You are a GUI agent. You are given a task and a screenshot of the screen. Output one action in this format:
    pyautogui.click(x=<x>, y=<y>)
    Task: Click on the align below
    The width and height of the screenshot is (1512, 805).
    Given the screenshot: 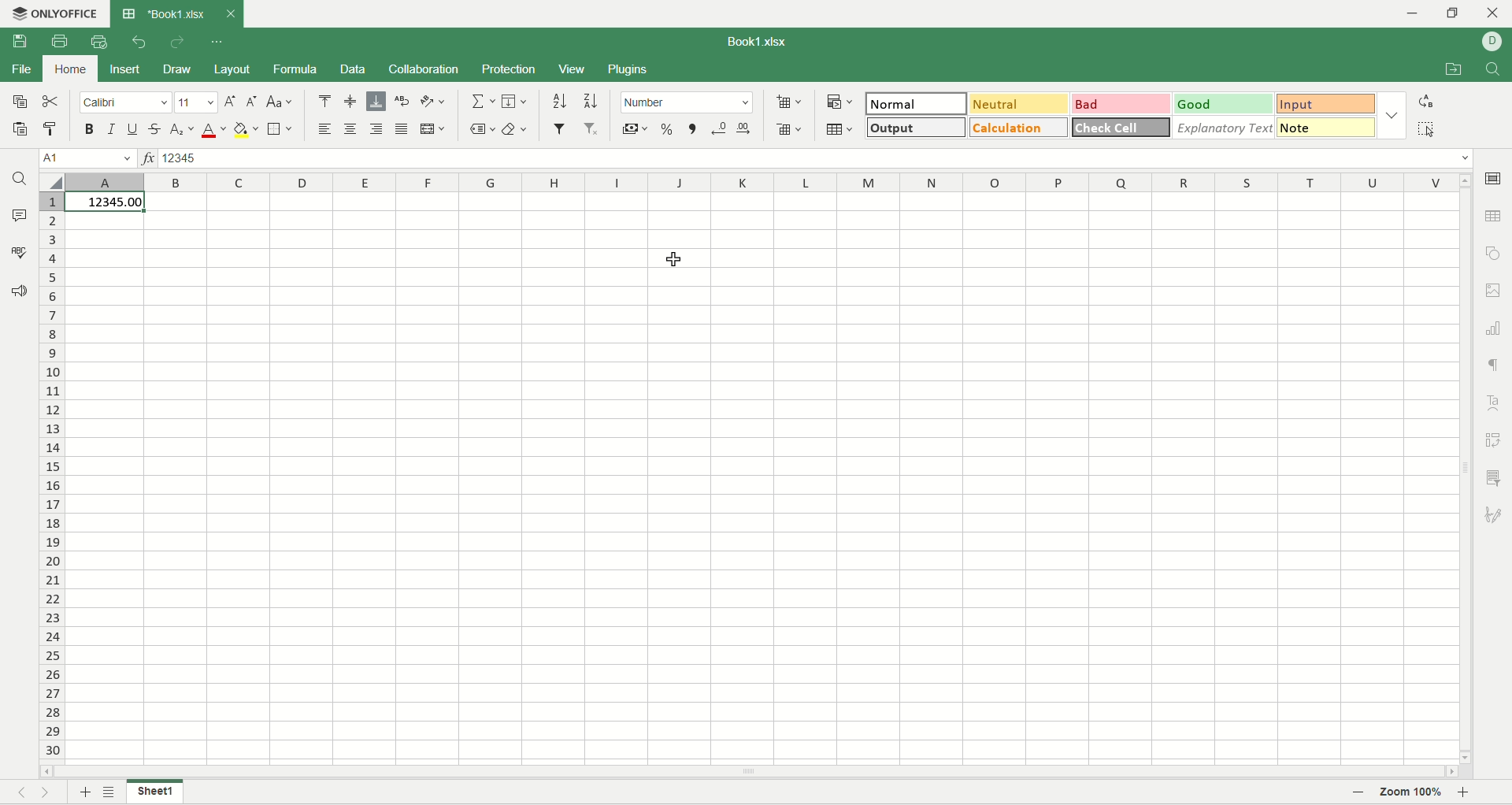 What is the action you would take?
    pyautogui.click(x=376, y=102)
    